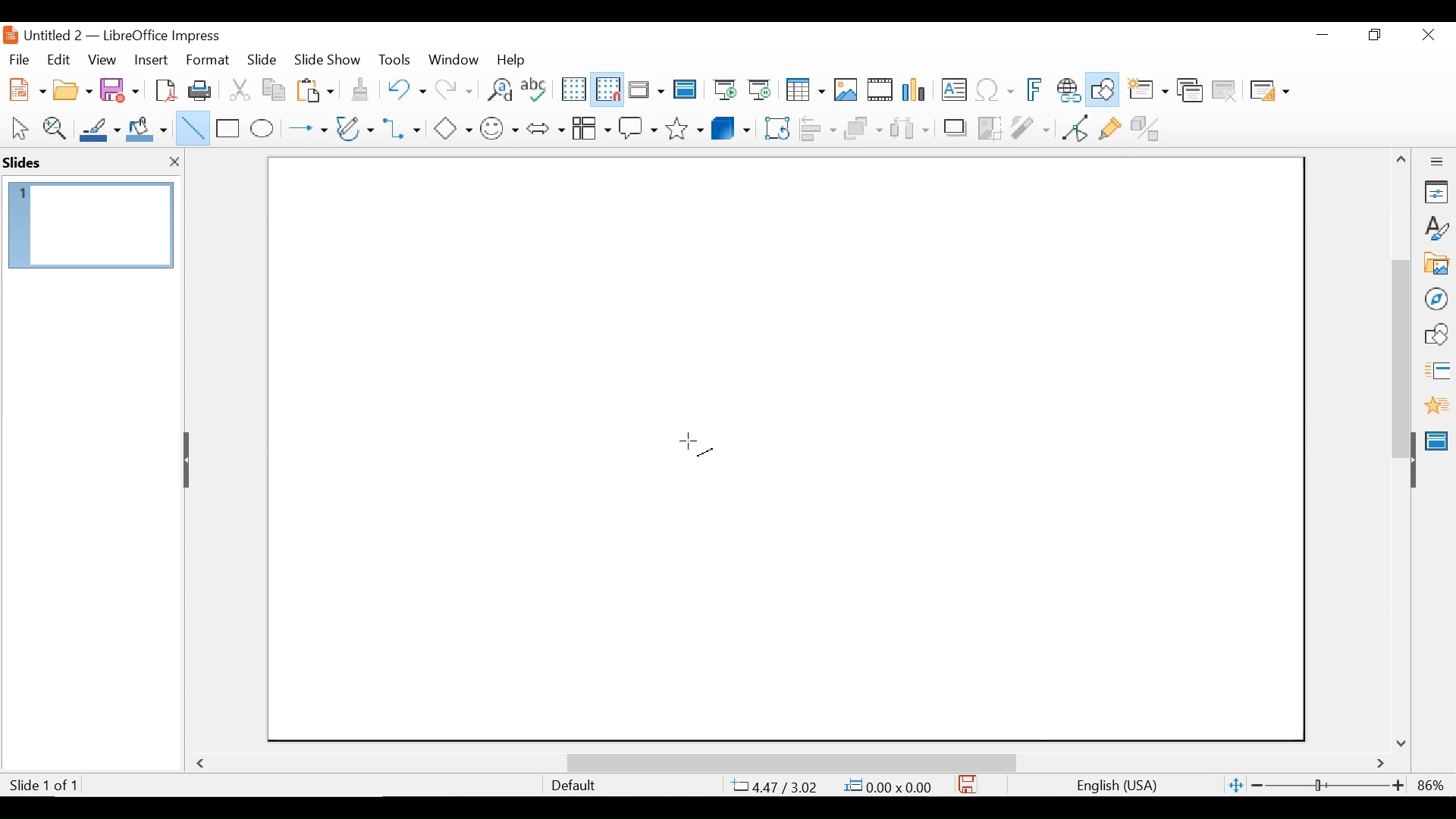 The height and width of the screenshot is (819, 1456). What do you see at coordinates (1104, 90) in the screenshot?
I see `Show Draw Functions` at bounding box center [1104, 90].